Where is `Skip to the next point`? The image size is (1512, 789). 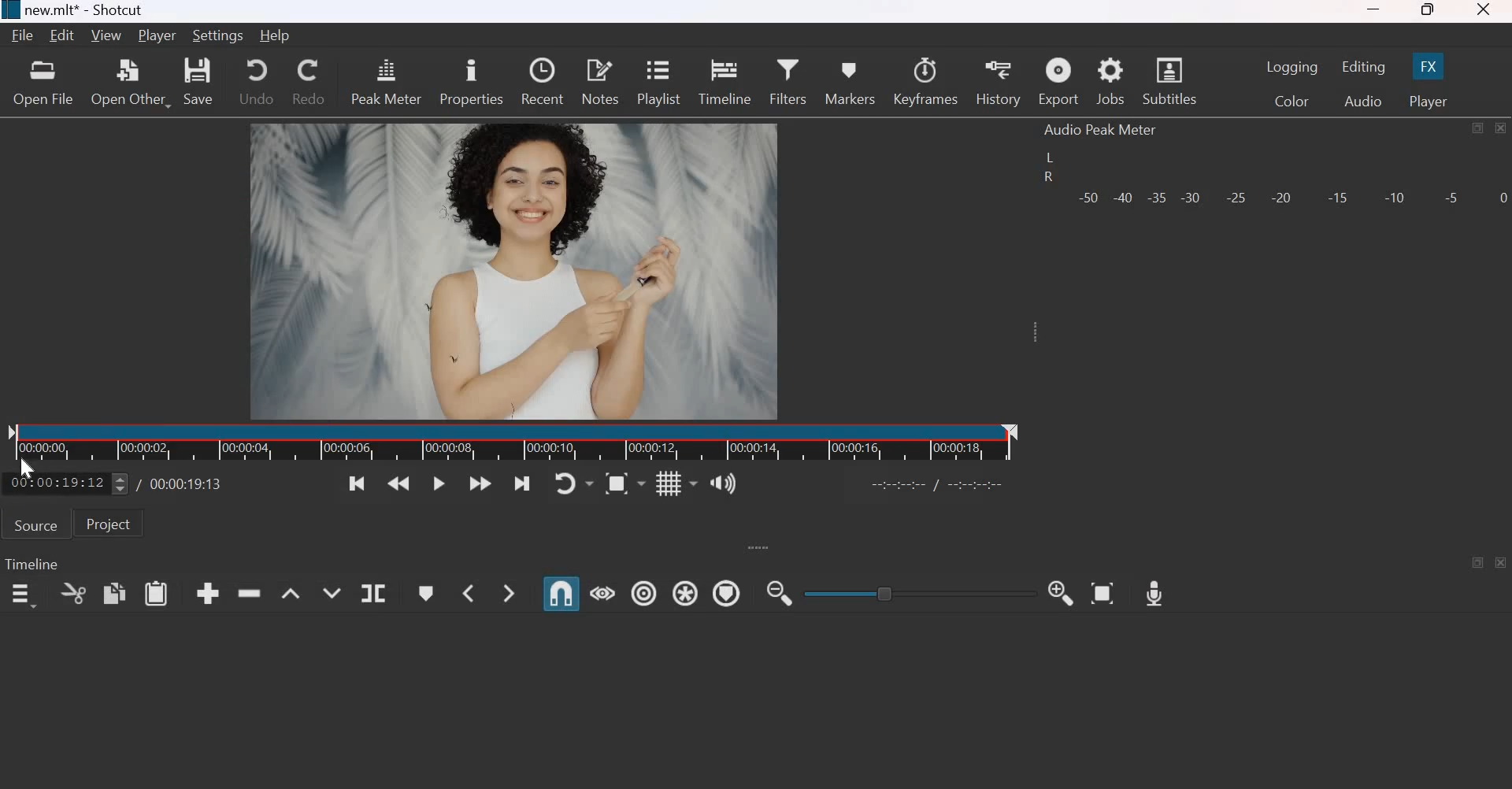
Skip to the next point is located at coordinates (524, 482).